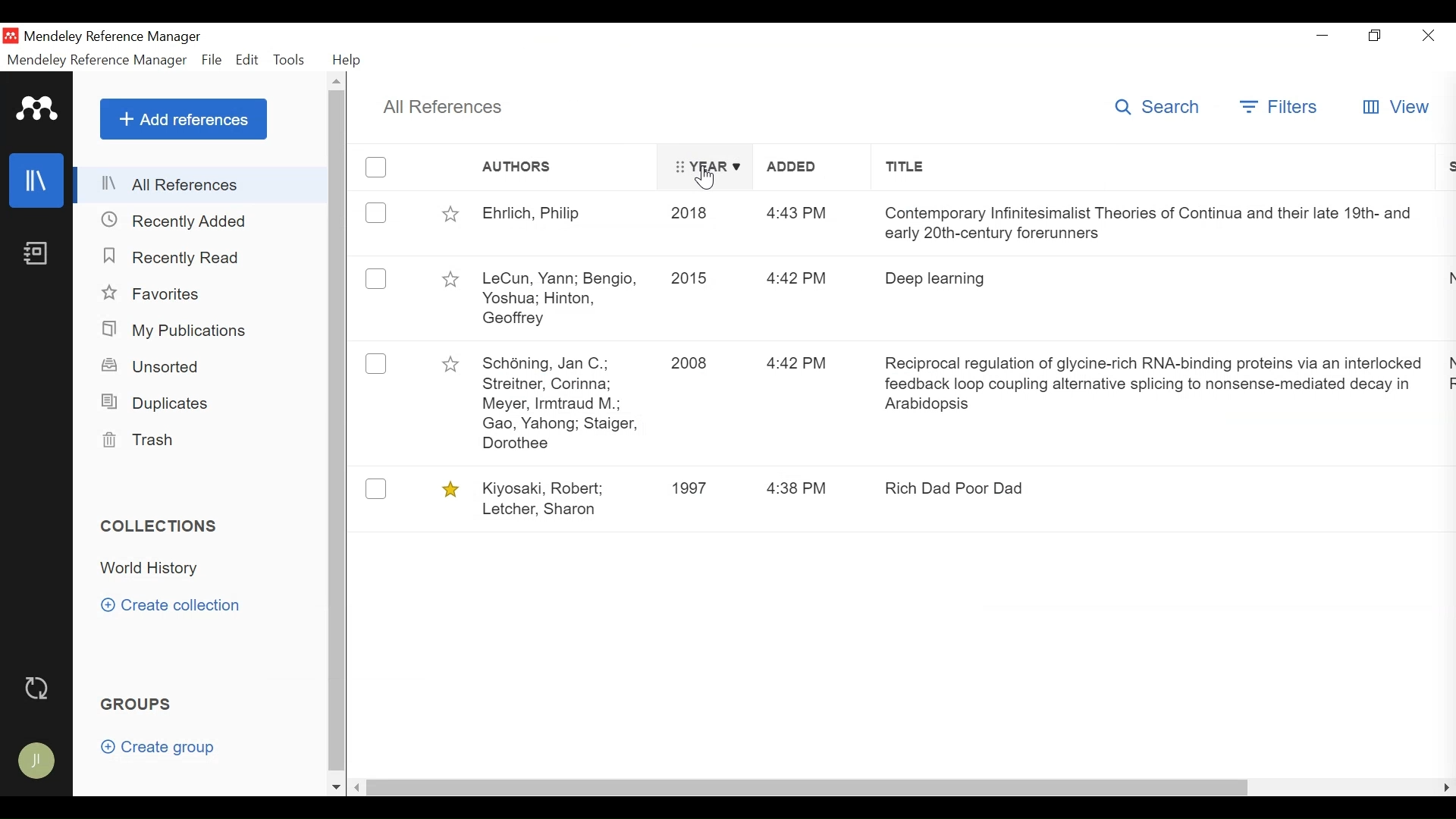  What do you see at coordinates (560, 406) in the screenshot?
I see `Schoning, Jan C; Streitner, Corinna; Meyer, Irmtraud M; Gao, Yahong, Staiger, Dorothee` at bounding box center [560, 406].